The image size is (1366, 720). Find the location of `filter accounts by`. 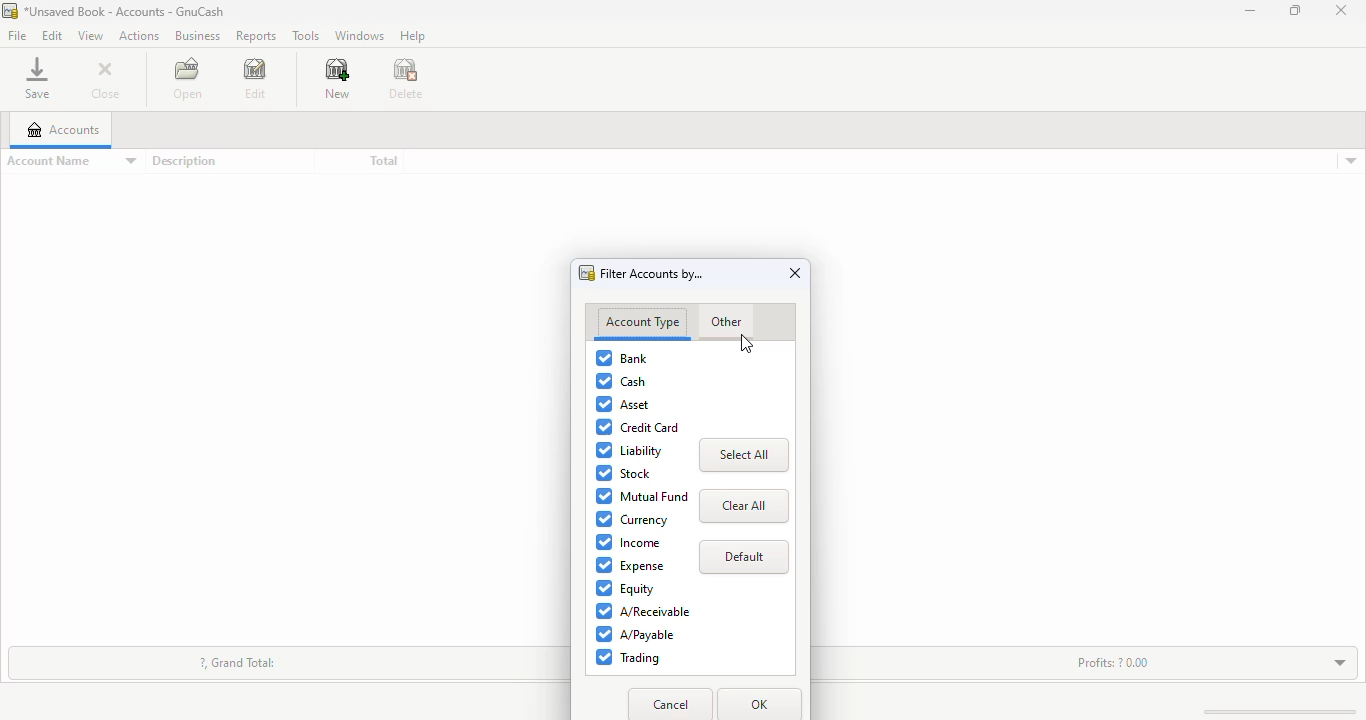

filter accounts by is located at coordinates (652, 274).